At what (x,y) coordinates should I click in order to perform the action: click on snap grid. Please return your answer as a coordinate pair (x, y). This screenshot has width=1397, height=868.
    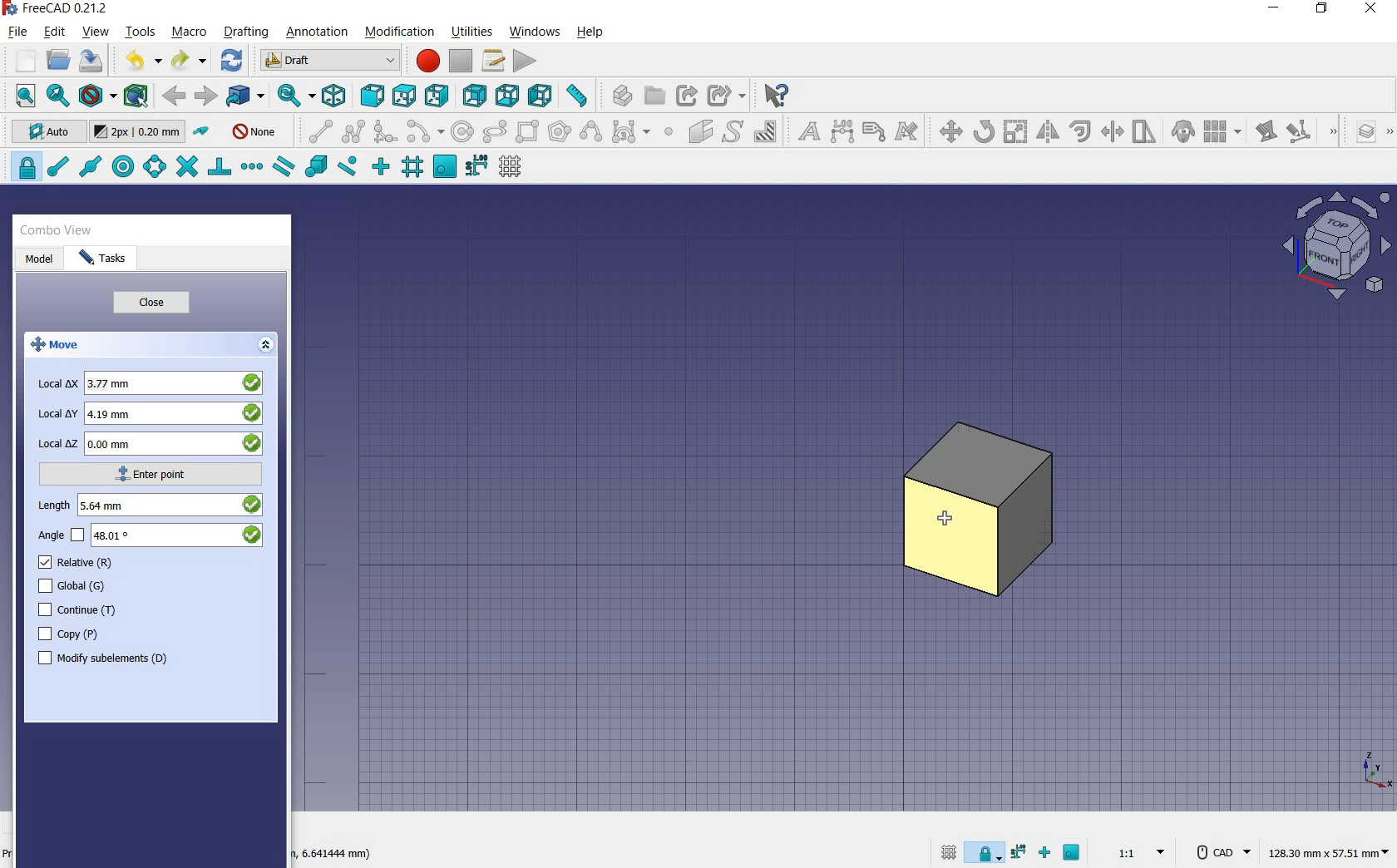
    Looking at the image, I should click on (412, 168).